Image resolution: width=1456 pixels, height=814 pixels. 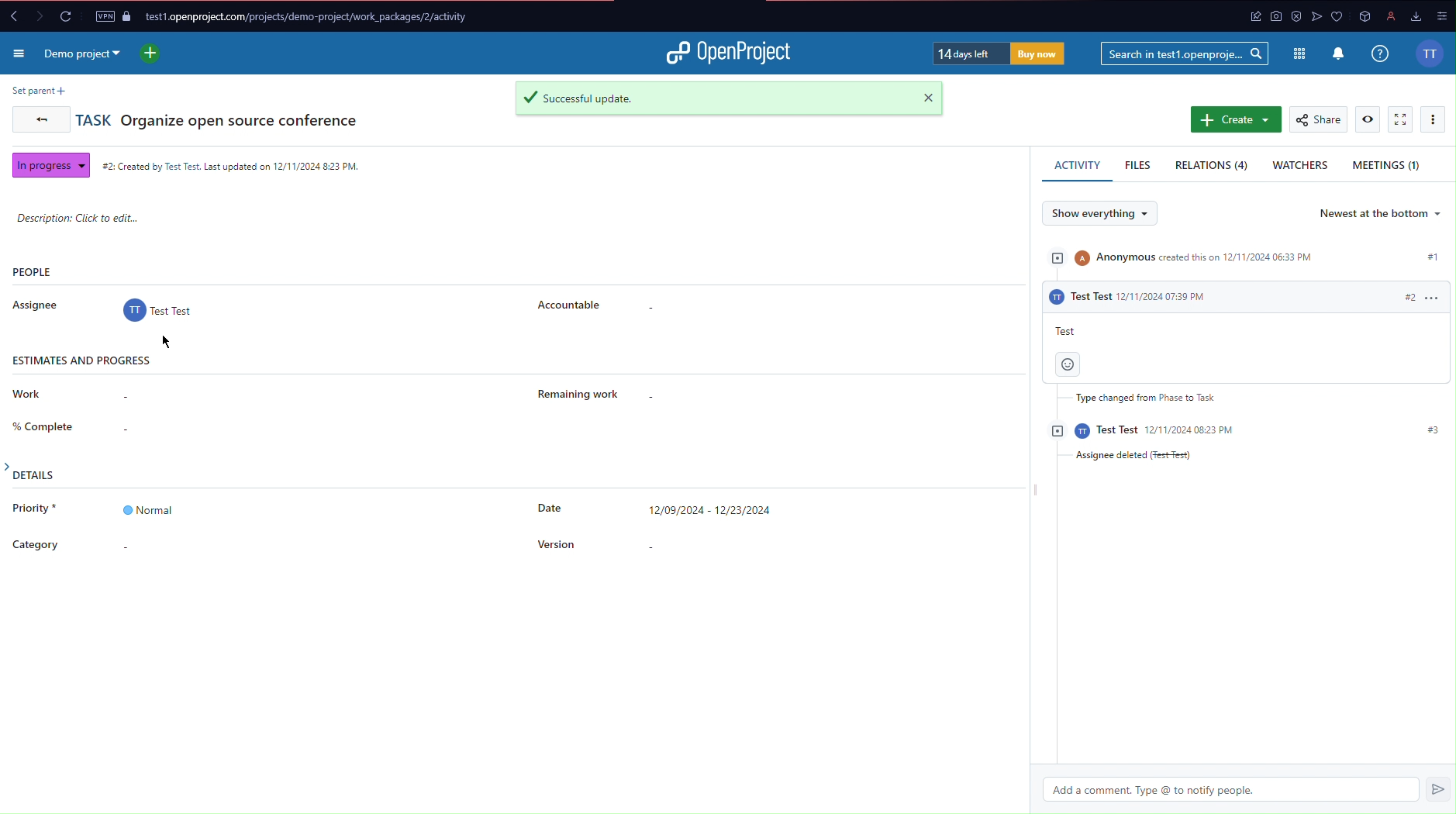 What do you see at coordinates (21, 53) in the screenshot?
I see `More` at bounding box center [21, 53].